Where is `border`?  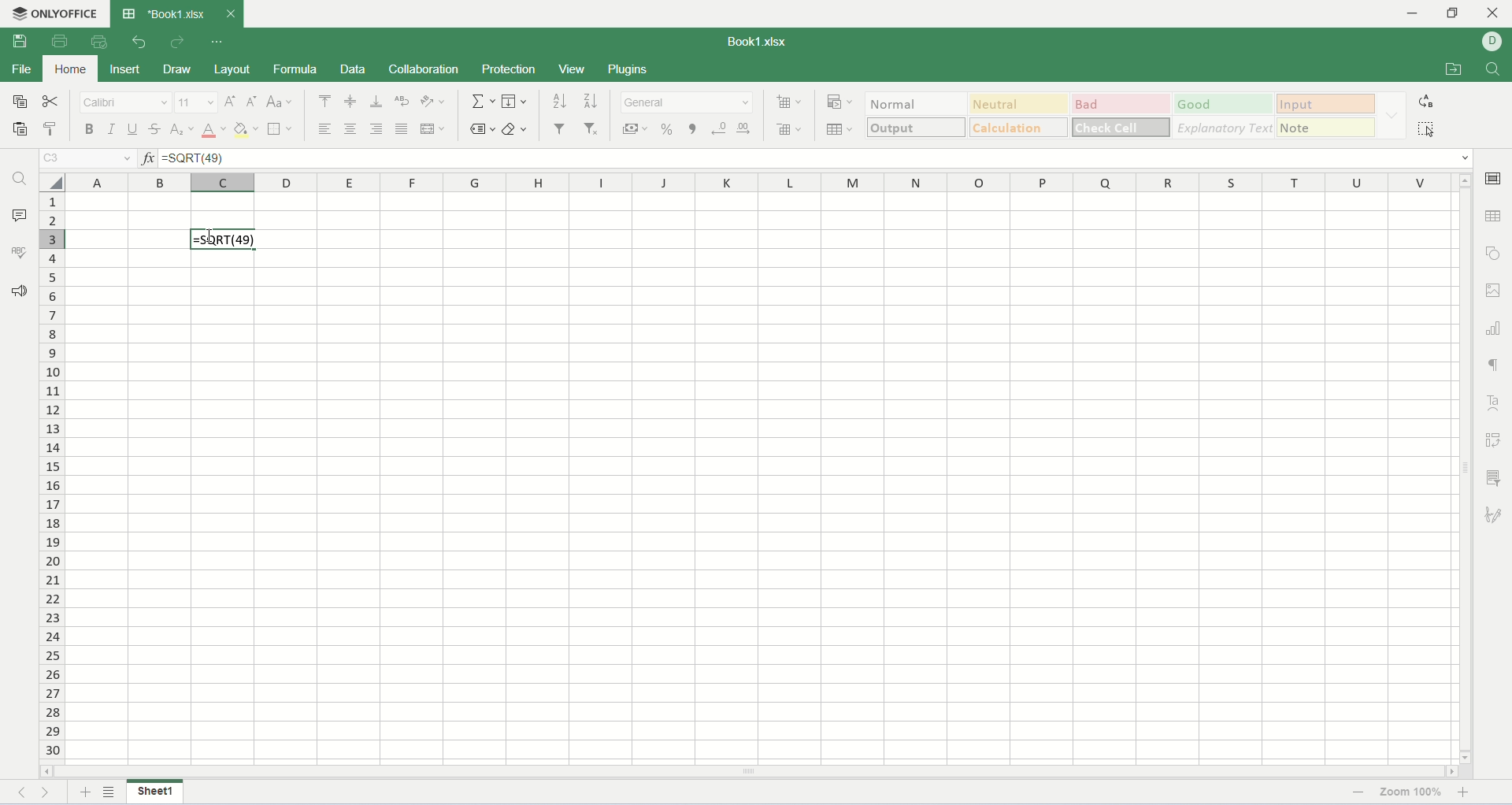 border is located at coordinates (280, 130).